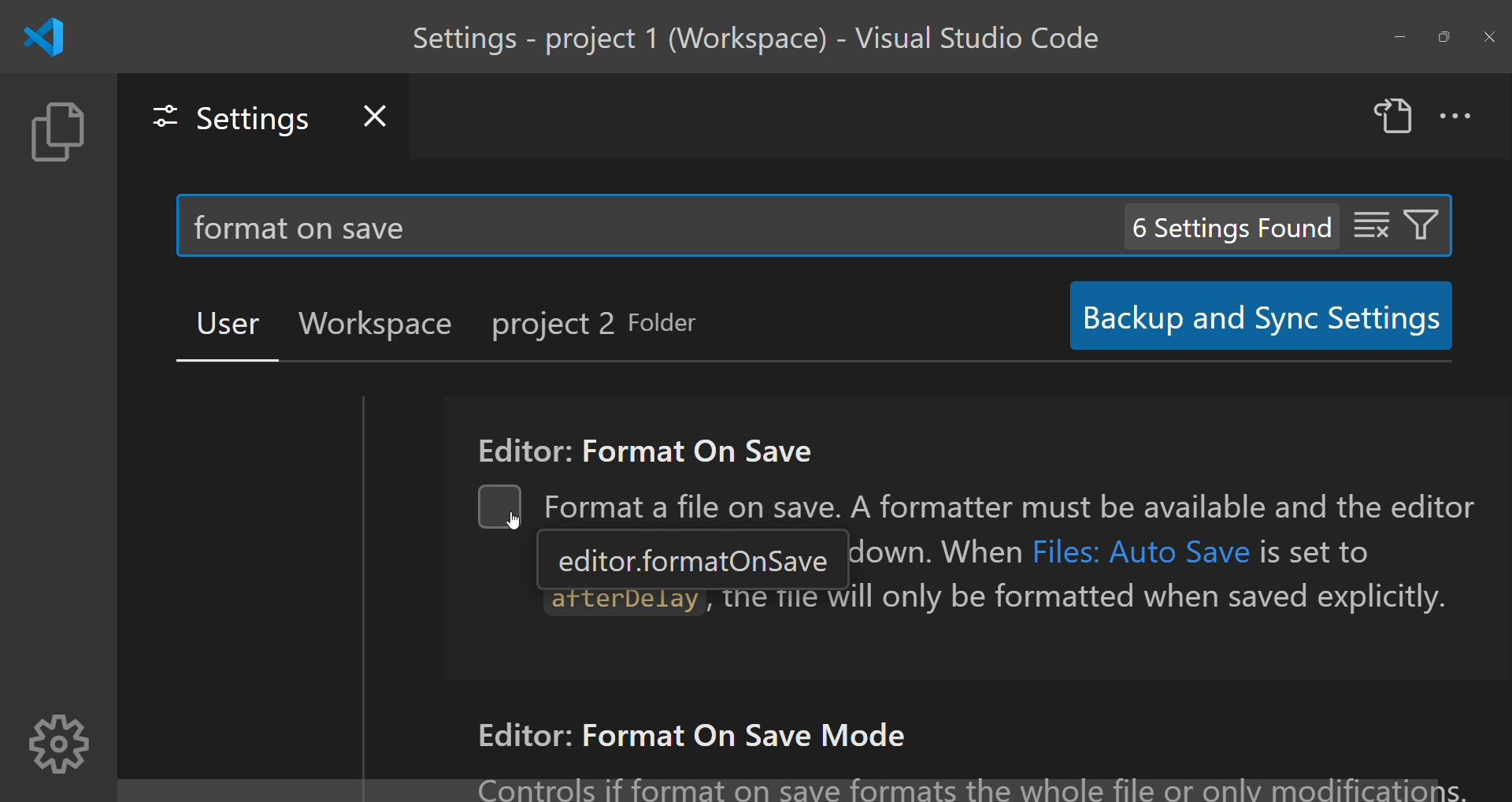 The height and width of the screenshot is (802, 1512). Describe the element at coordinates (1460, 117) in the screenshot. I see `more actions` at that location.